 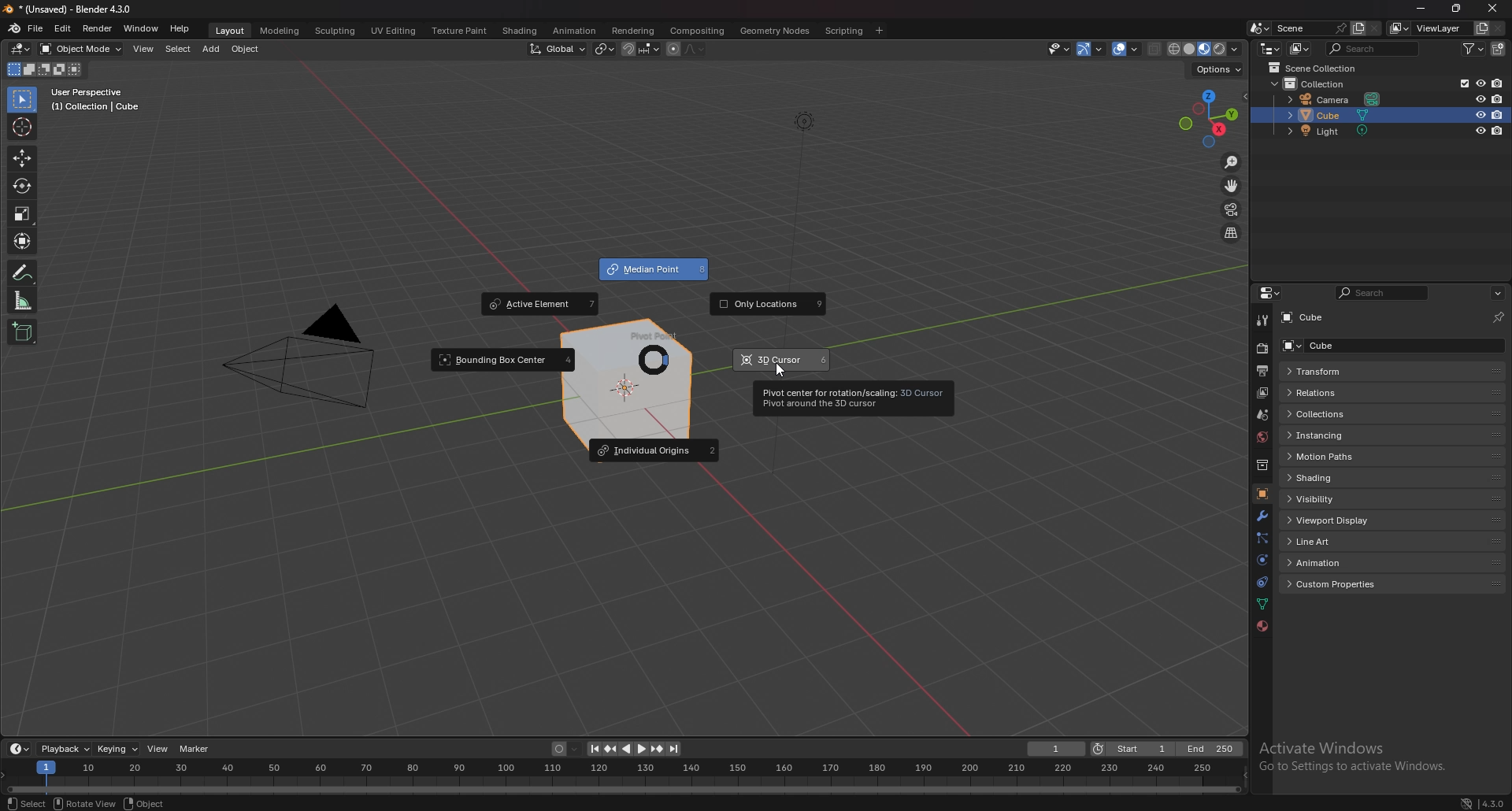 What do you see at coordinates (1262, 515) in the screenshot?
I see `modifier` at bounding box center [1262, 515].